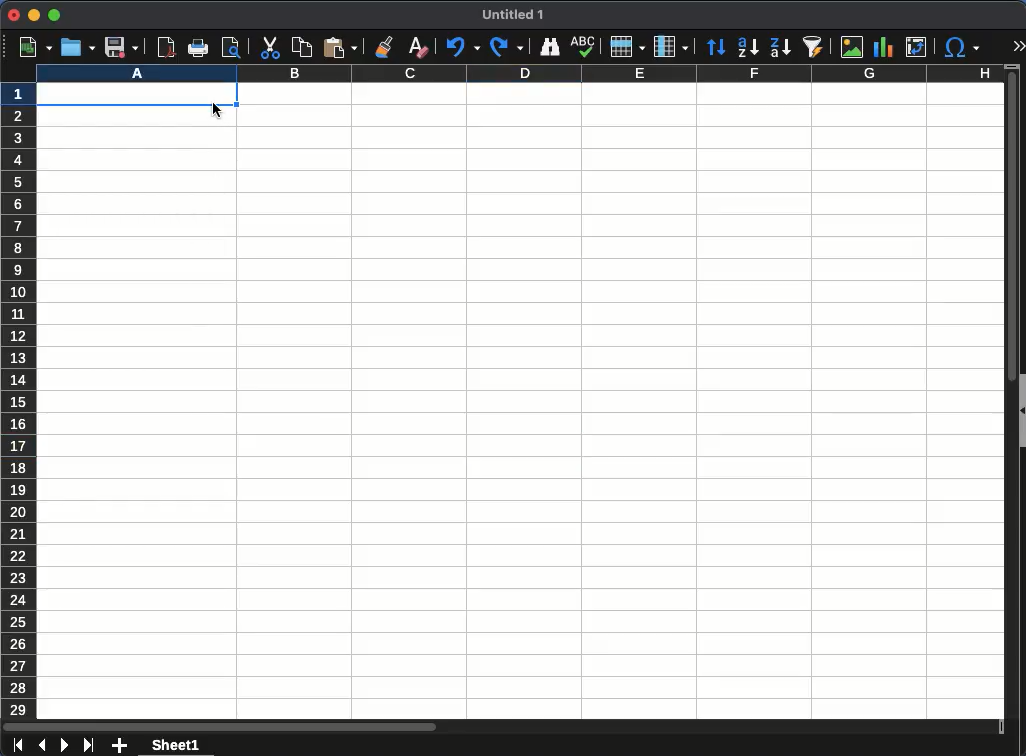 The image size is (1026, 756). Describe the element at coordinates (850, 46) in the screenshot. I see `image` at that location.